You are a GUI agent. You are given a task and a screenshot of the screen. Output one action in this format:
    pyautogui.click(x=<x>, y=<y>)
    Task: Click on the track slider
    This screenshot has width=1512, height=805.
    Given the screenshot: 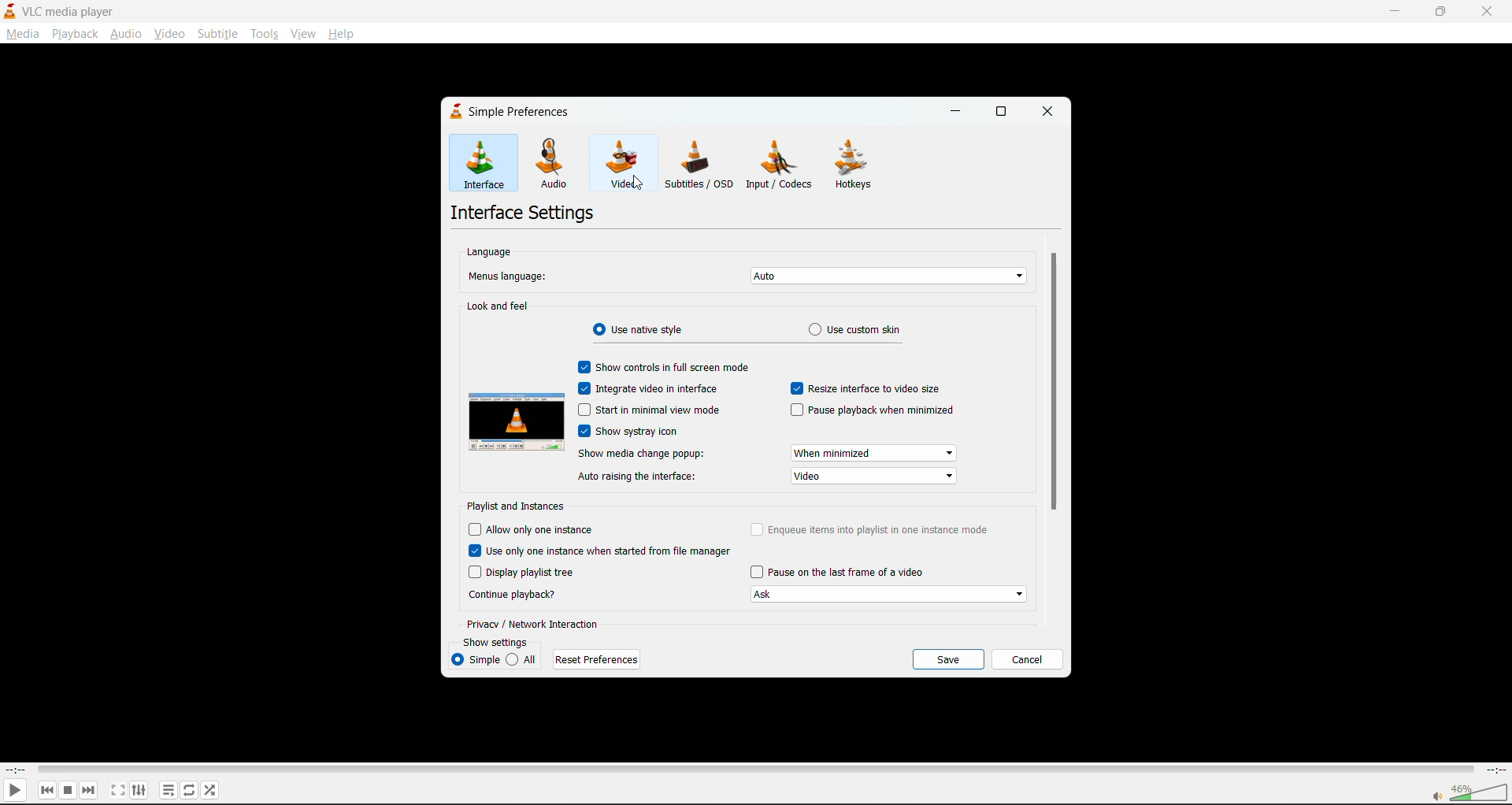 What is the action you would take?
    pyautogui.click(x=751, y=768)
    